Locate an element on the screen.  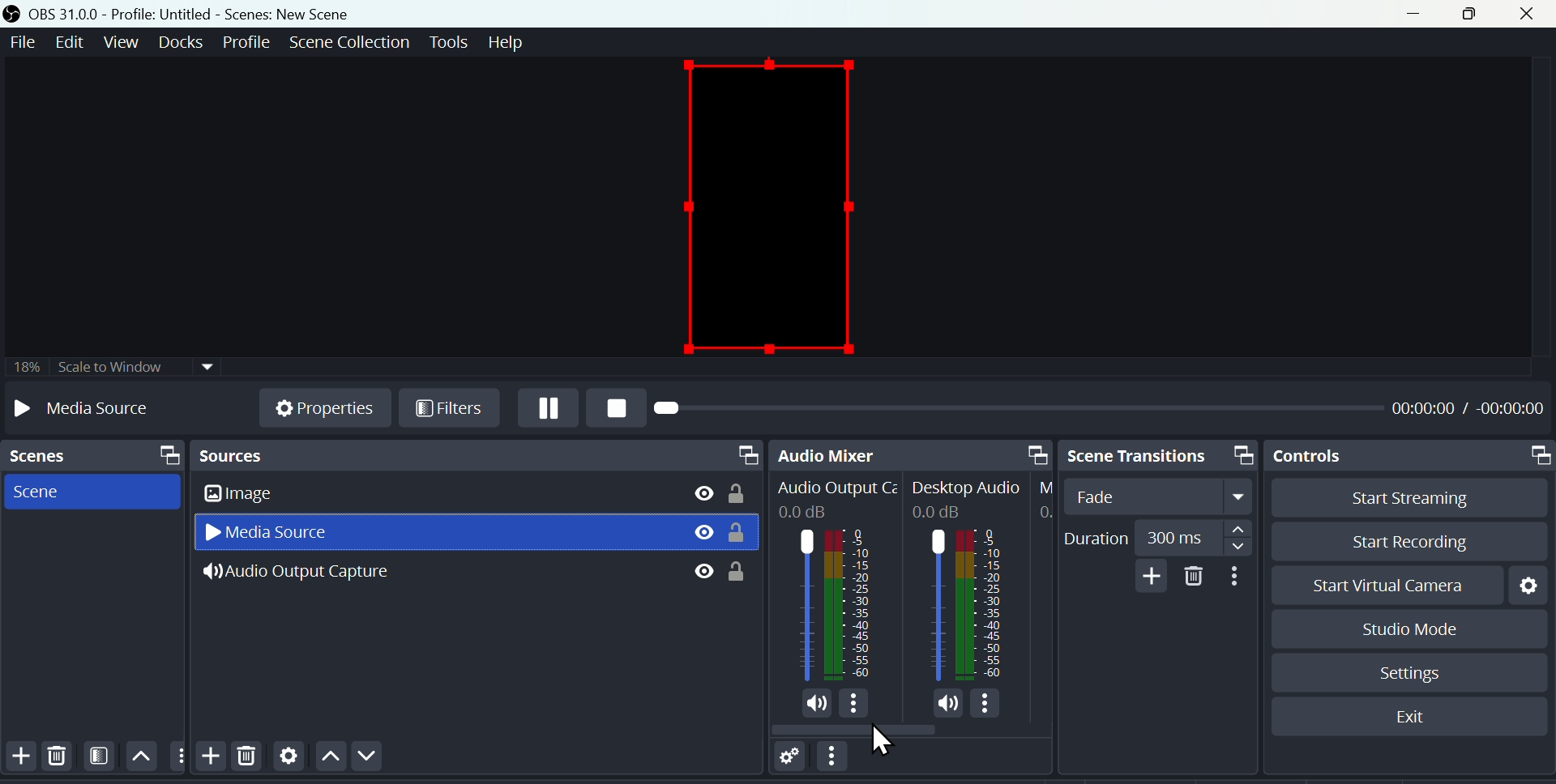
end time is located at coordinates (1516, 407).